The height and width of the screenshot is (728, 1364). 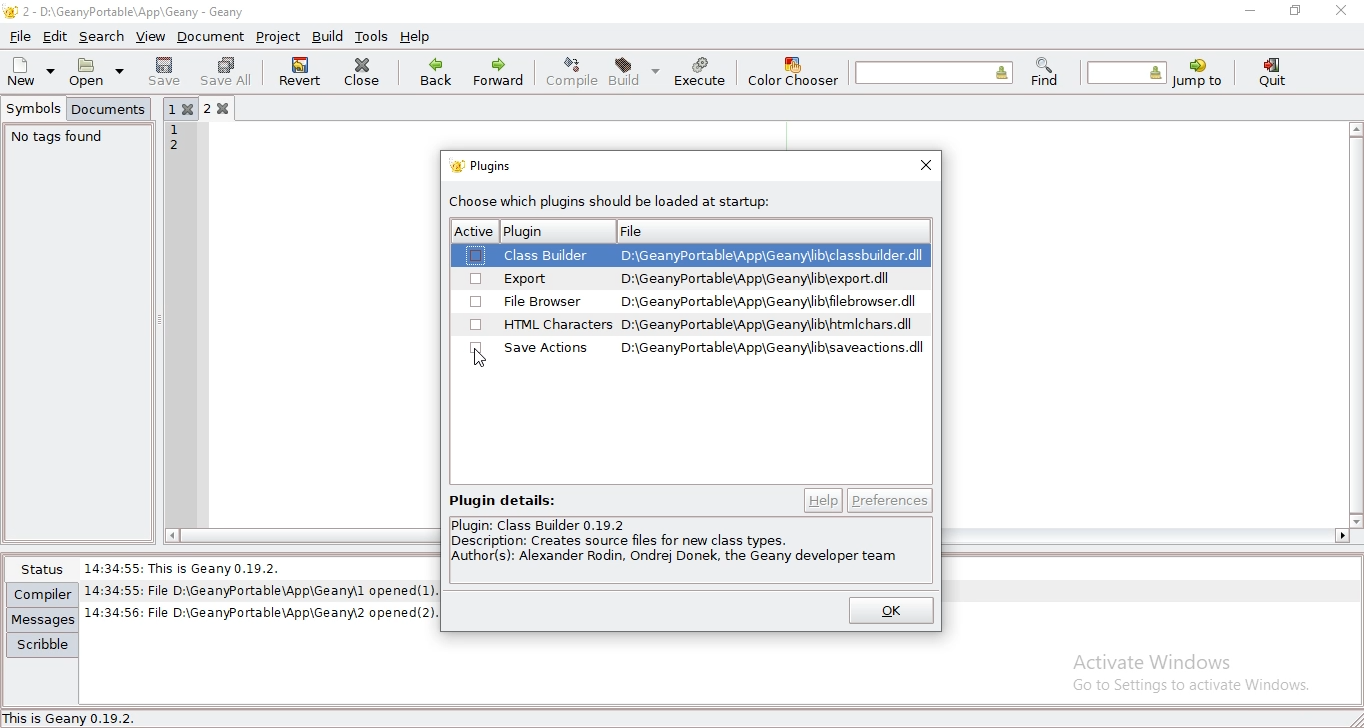 I want to click on project, so click(x=278, y=37).